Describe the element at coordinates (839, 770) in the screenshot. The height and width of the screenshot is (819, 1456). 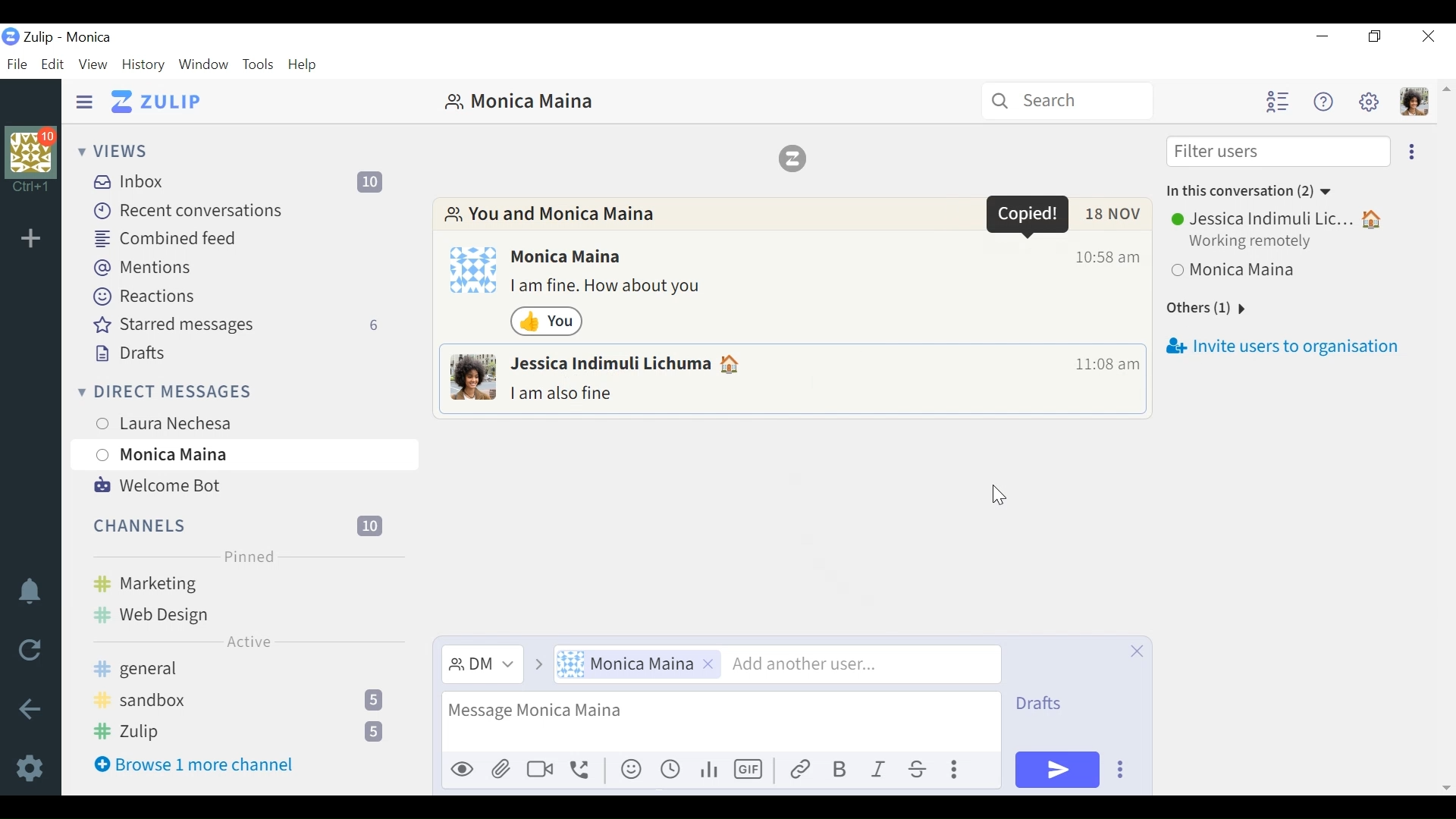
I see `Bold` at that location.